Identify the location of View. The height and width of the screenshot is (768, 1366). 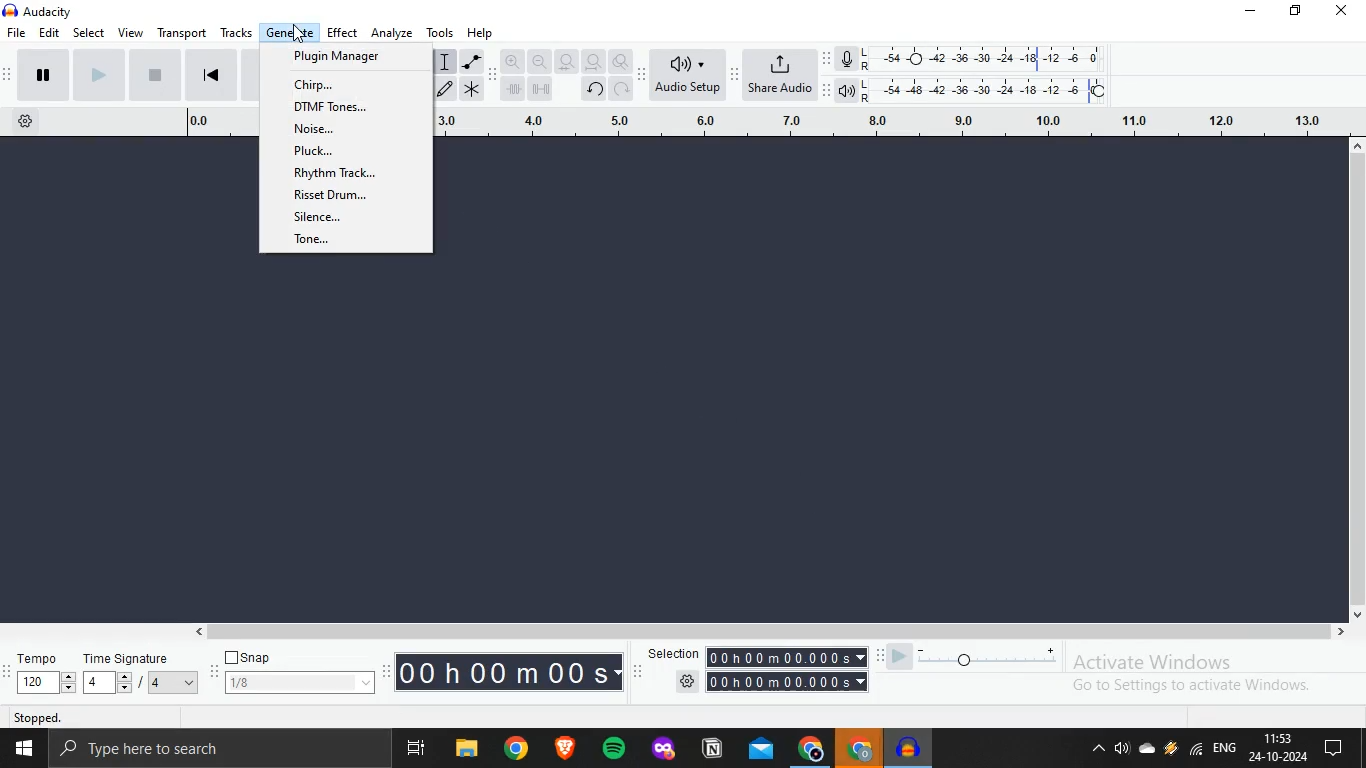
(131, 32).